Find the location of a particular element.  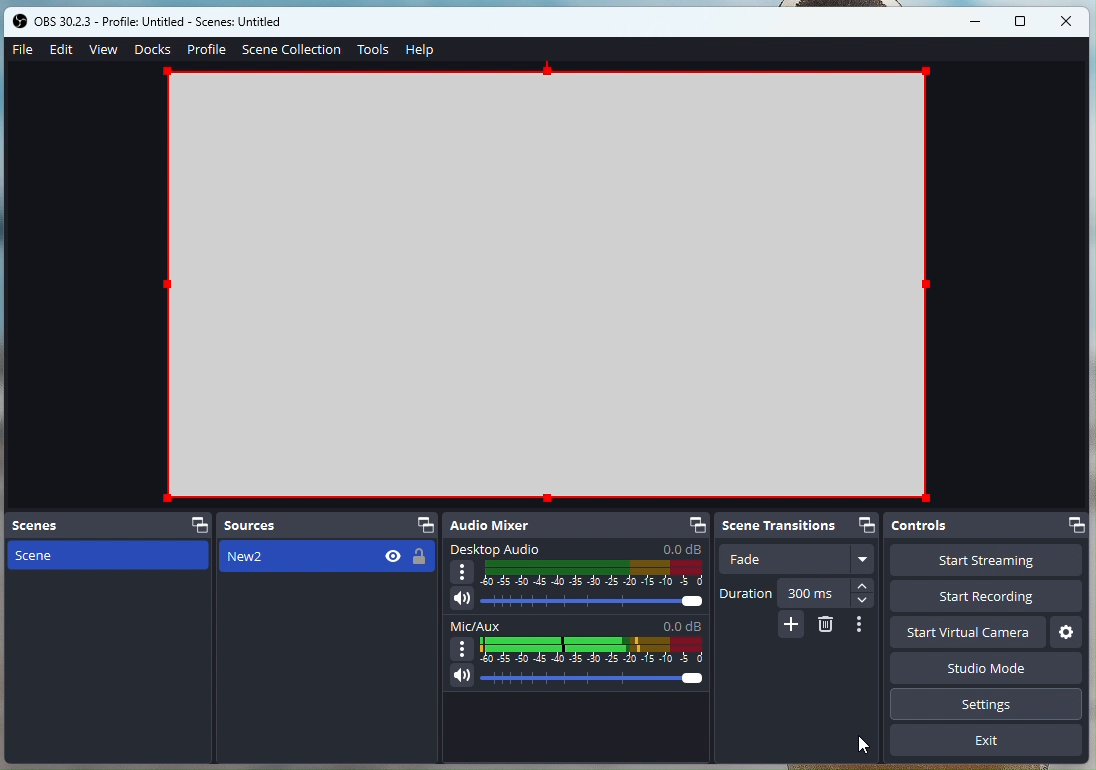

Edit is located at coordinates (62, 49).